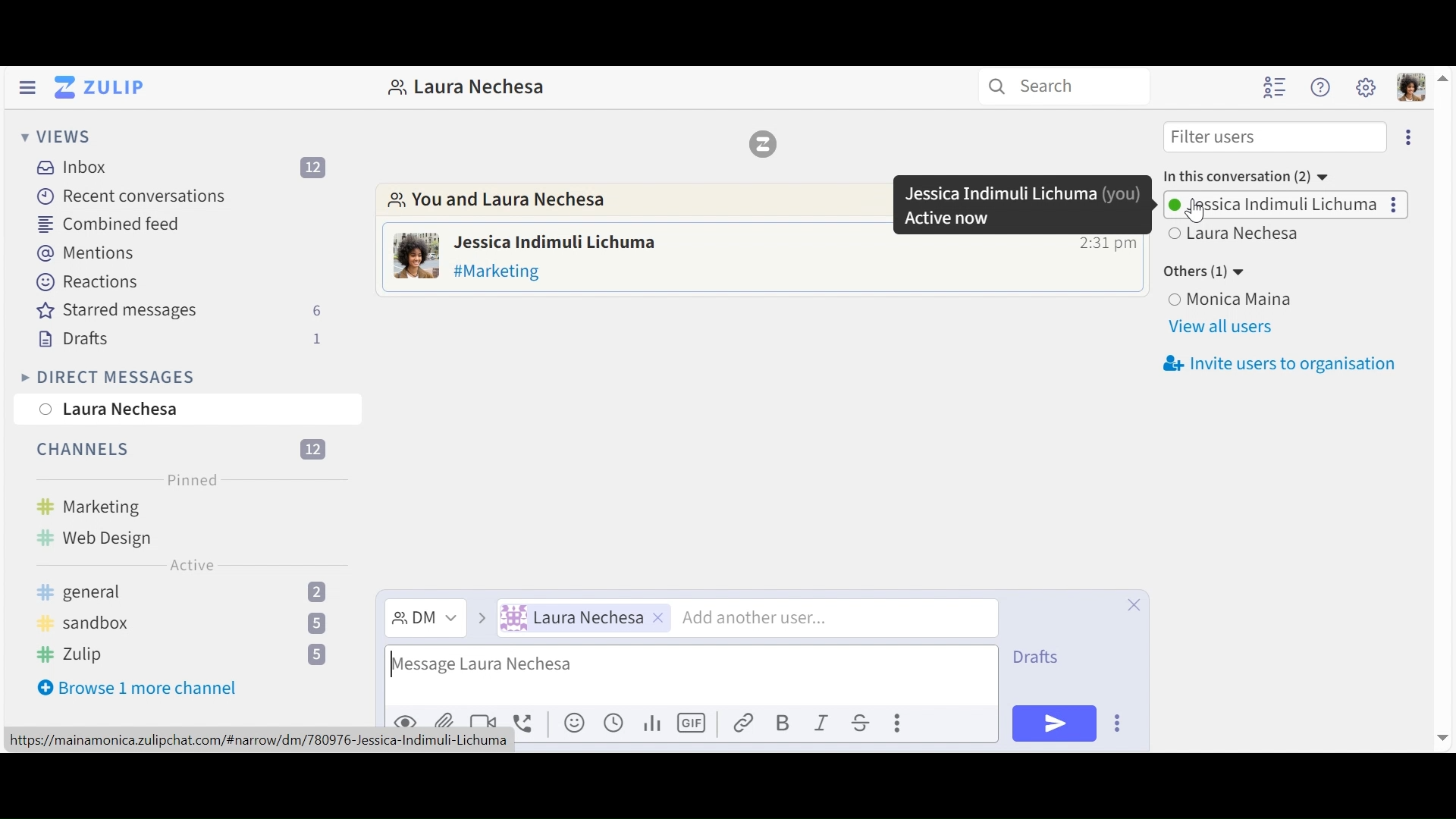 This screenshot has width=1456, height=819. I want to click on Compose action, so click(899, 723).